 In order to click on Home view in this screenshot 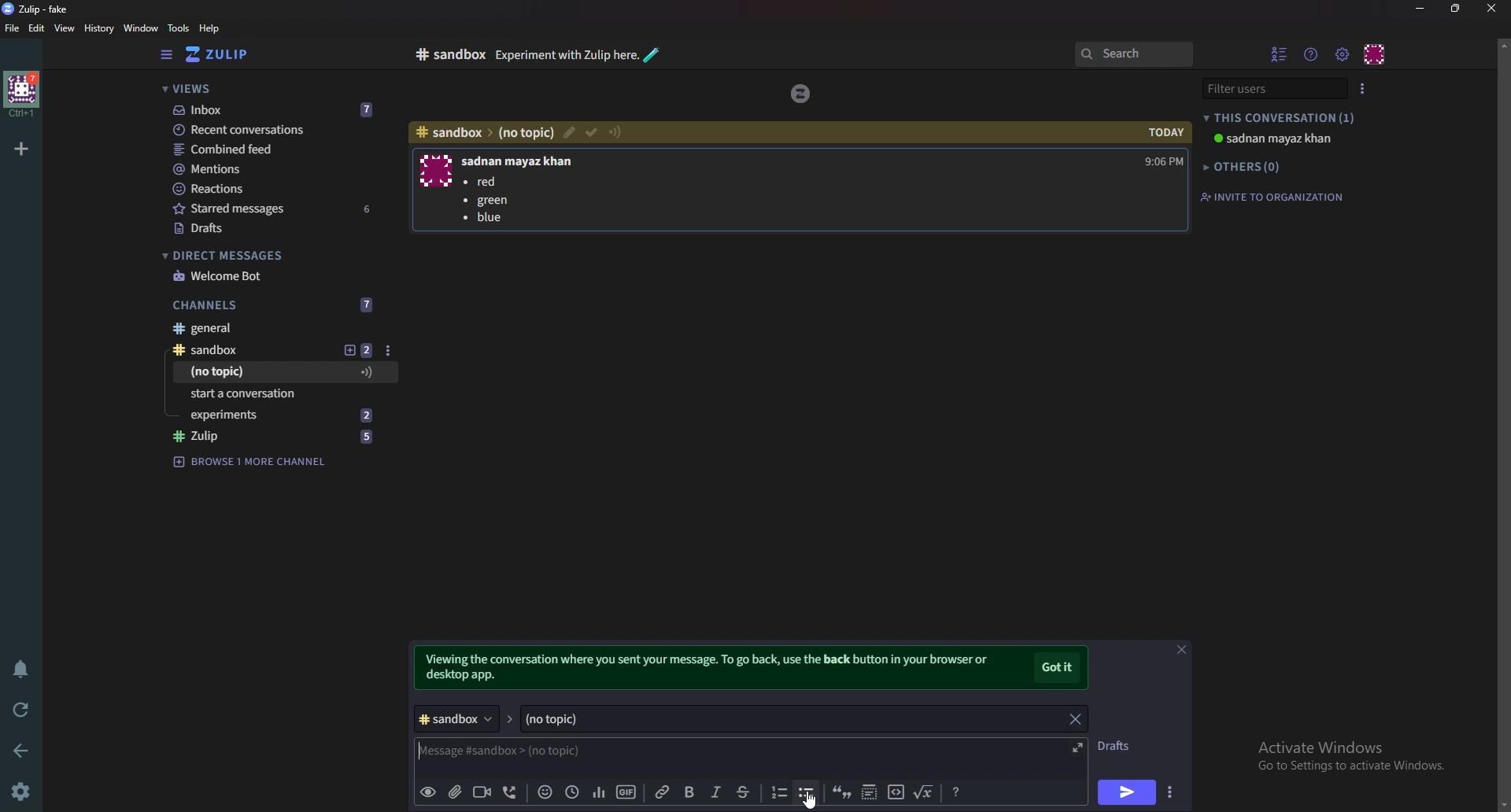, I will do `click(228, 54)`.